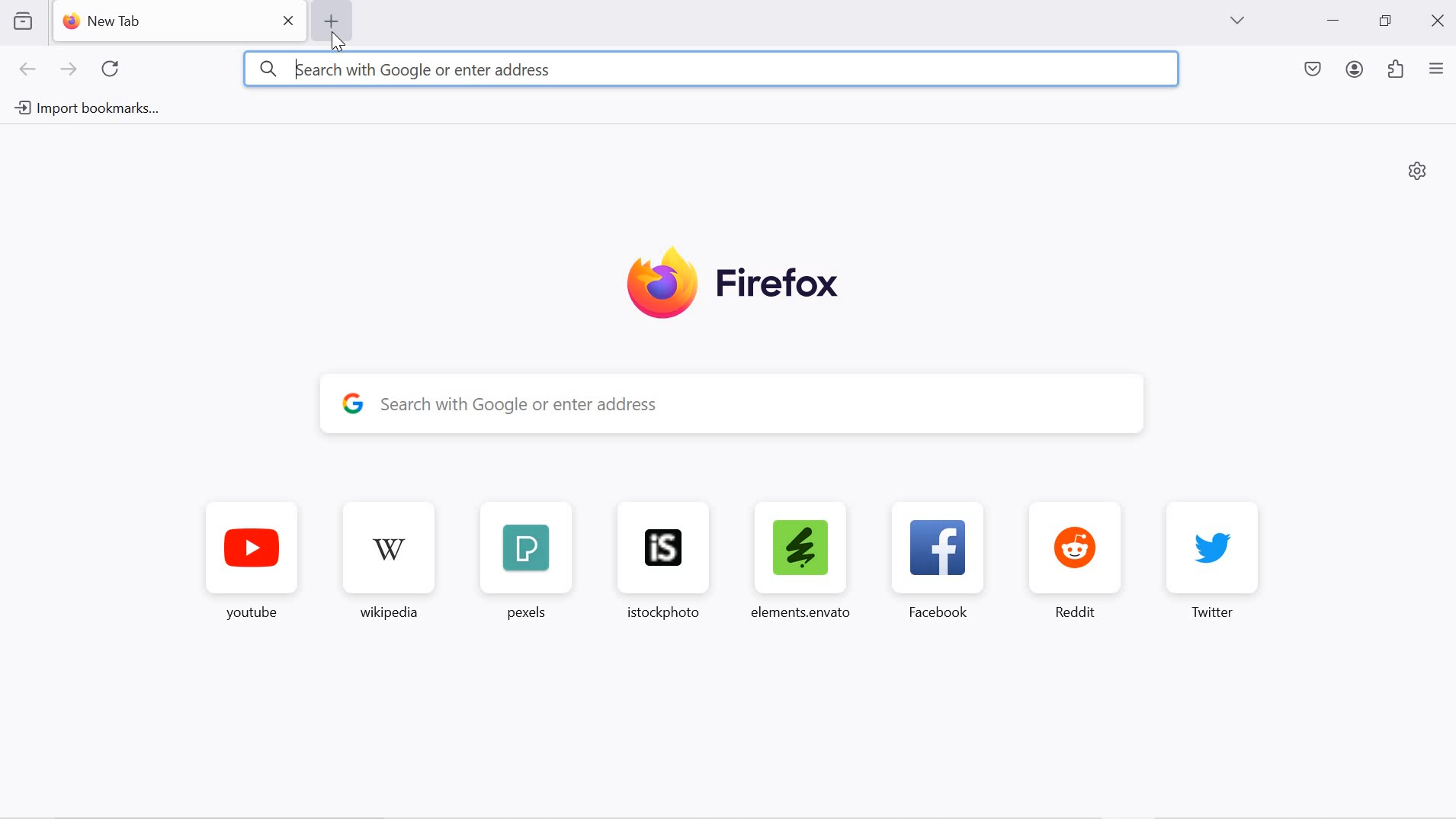 Image resolution: width=1456 pixels, height=819 pixels. I want to click on restore down, so click(1384, 21).